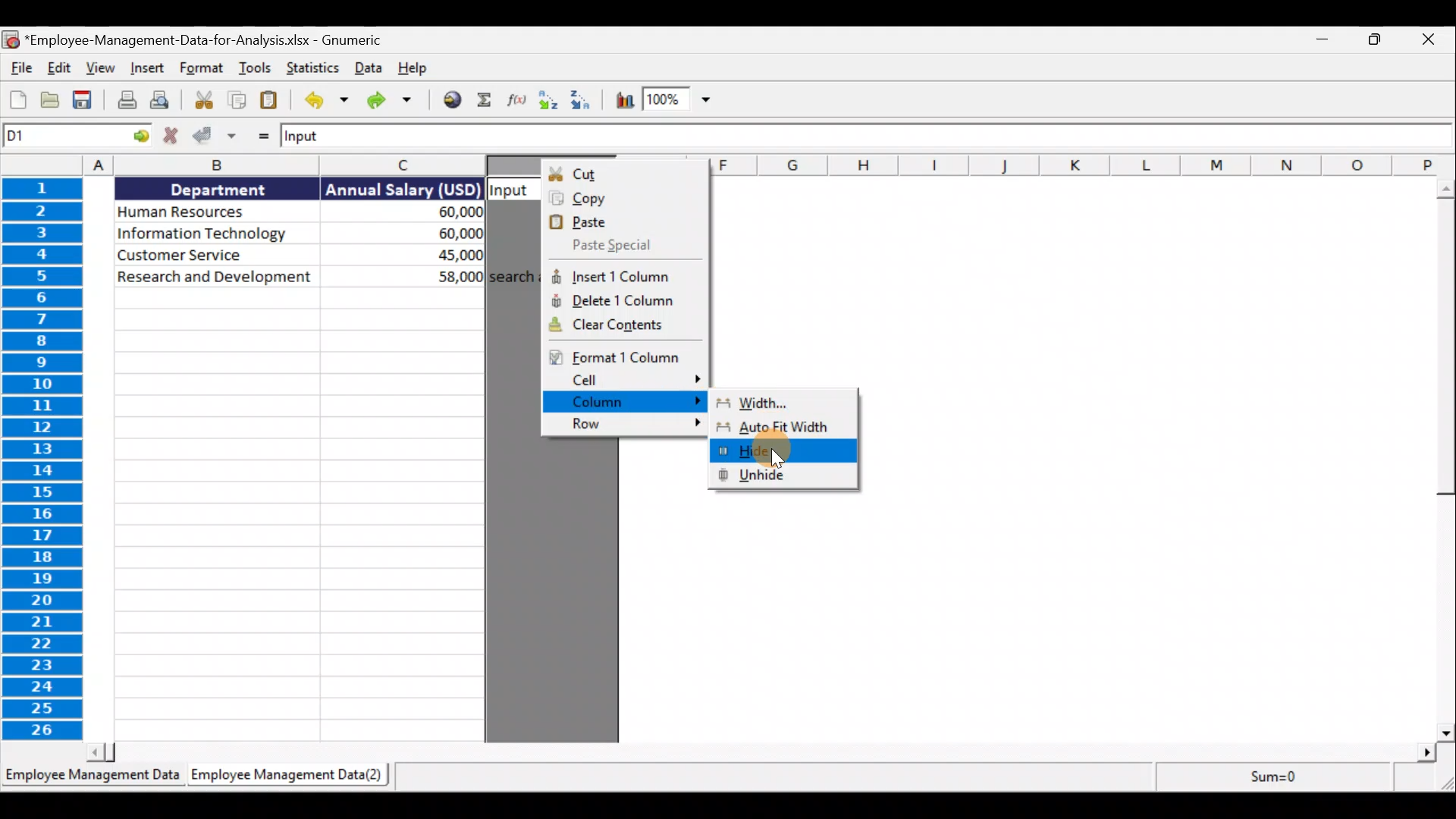  What do you see at coordinates (623, 246) in the screenshot?
I see `Paste special` at bounding box center [623, 246].